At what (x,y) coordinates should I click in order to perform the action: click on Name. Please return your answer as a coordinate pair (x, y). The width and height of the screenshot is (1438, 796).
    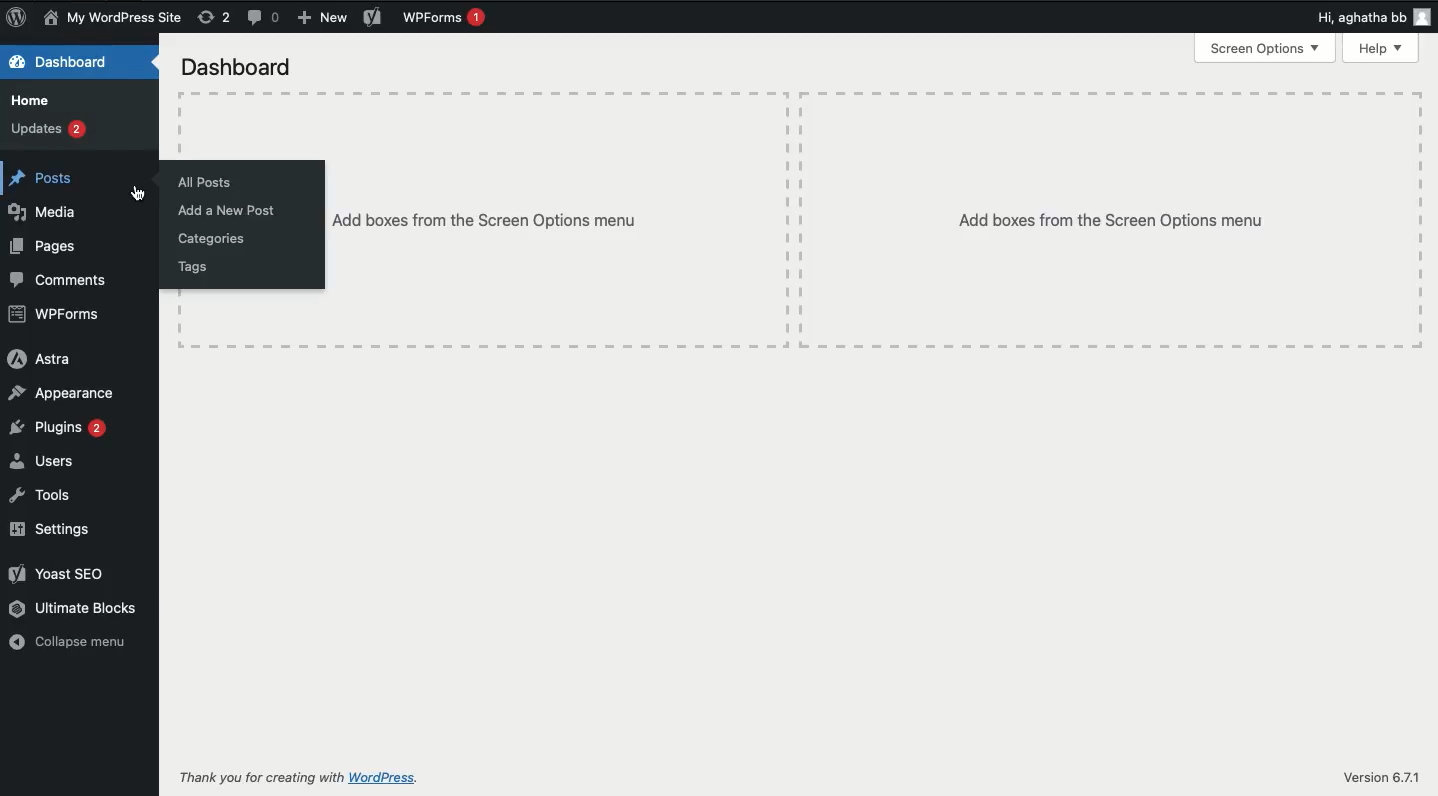
    Looking at the image, I should click on (111, 18).